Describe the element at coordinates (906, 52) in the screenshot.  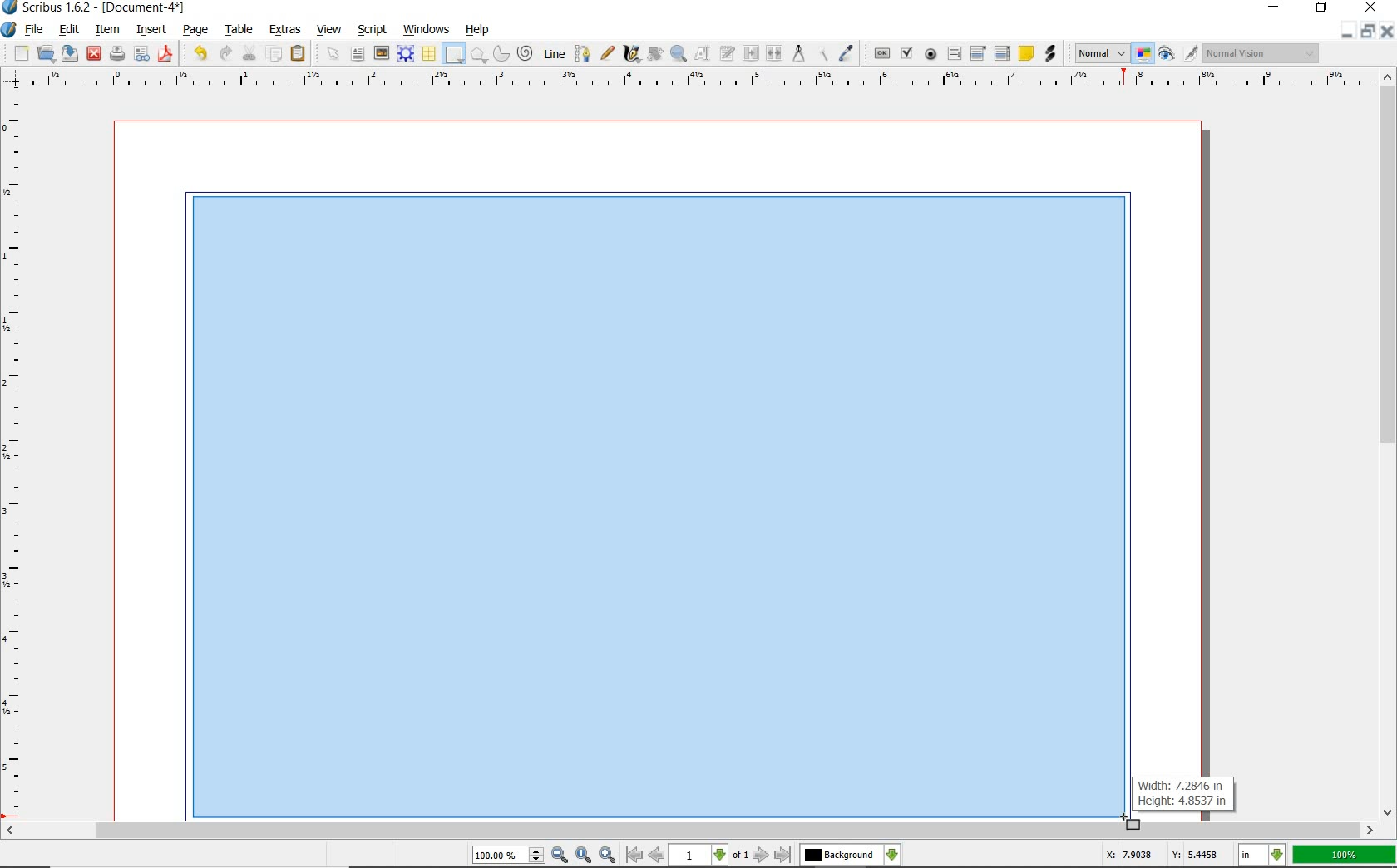
I see `pdf check box` at that location.